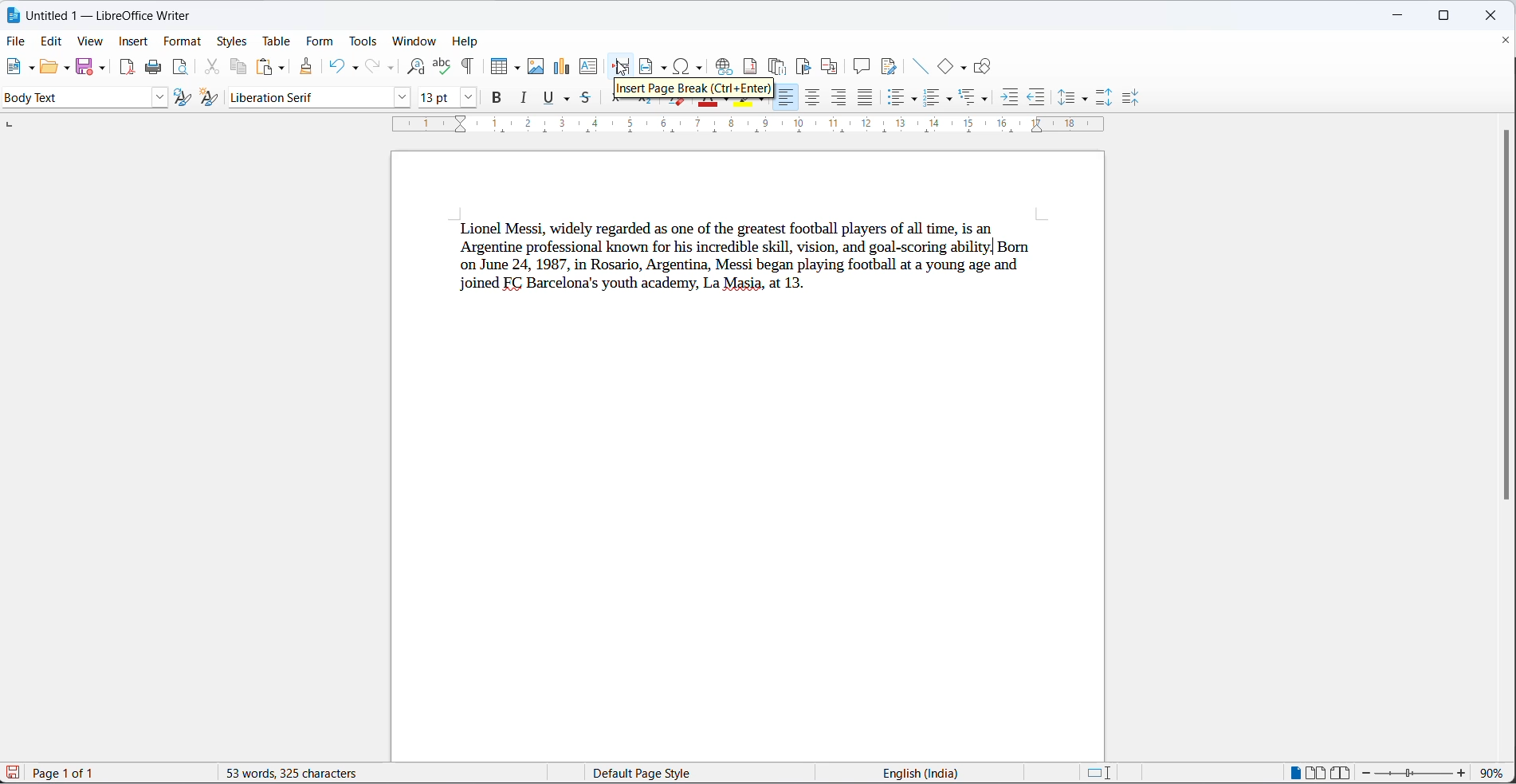 The width and height of the screenshot is (1516, 784). What do you see at coordinates (1413, 773) in the screenshot?
I see `zoom slider` at bounding box center [1413, 773].